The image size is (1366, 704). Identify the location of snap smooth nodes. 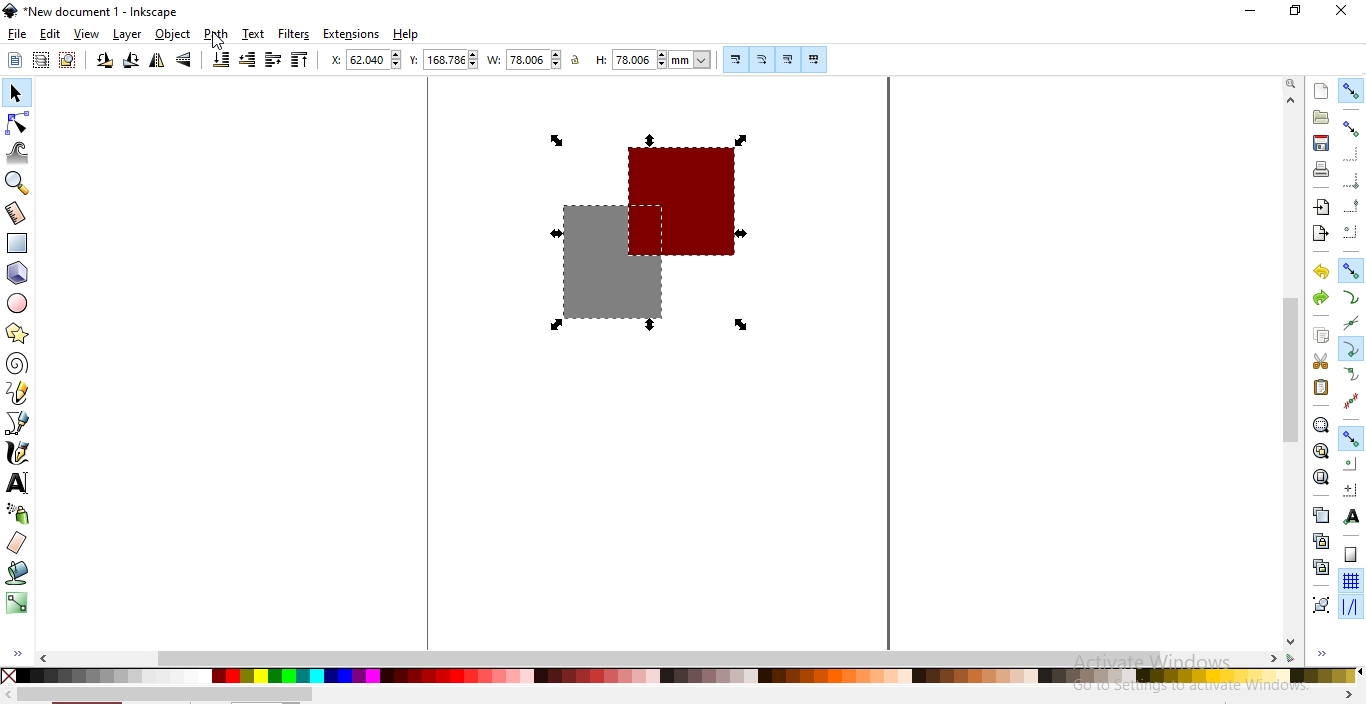
(1352, 375).